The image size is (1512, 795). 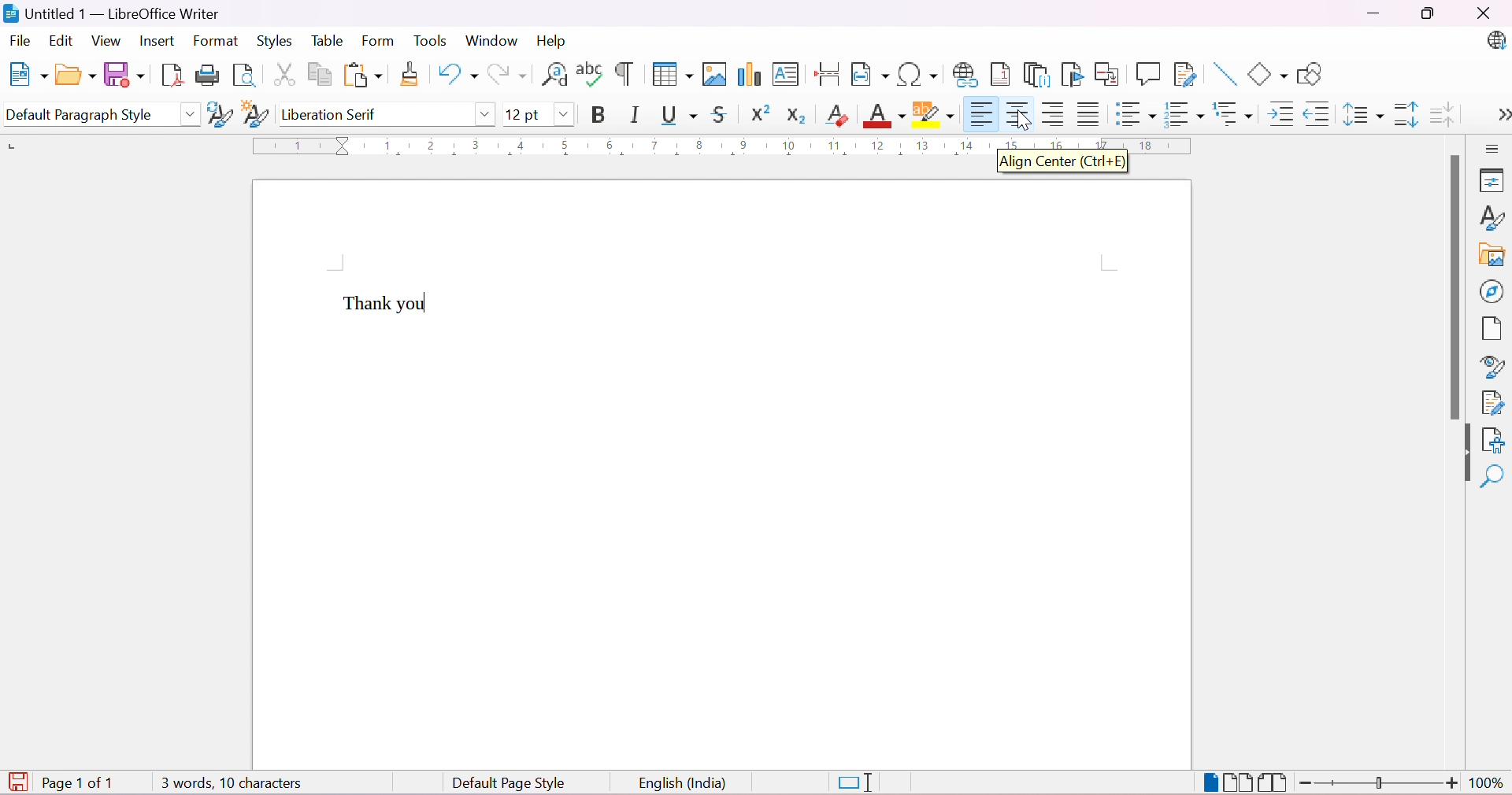 I want to click on Drop Down, so click(x=564, y=113).